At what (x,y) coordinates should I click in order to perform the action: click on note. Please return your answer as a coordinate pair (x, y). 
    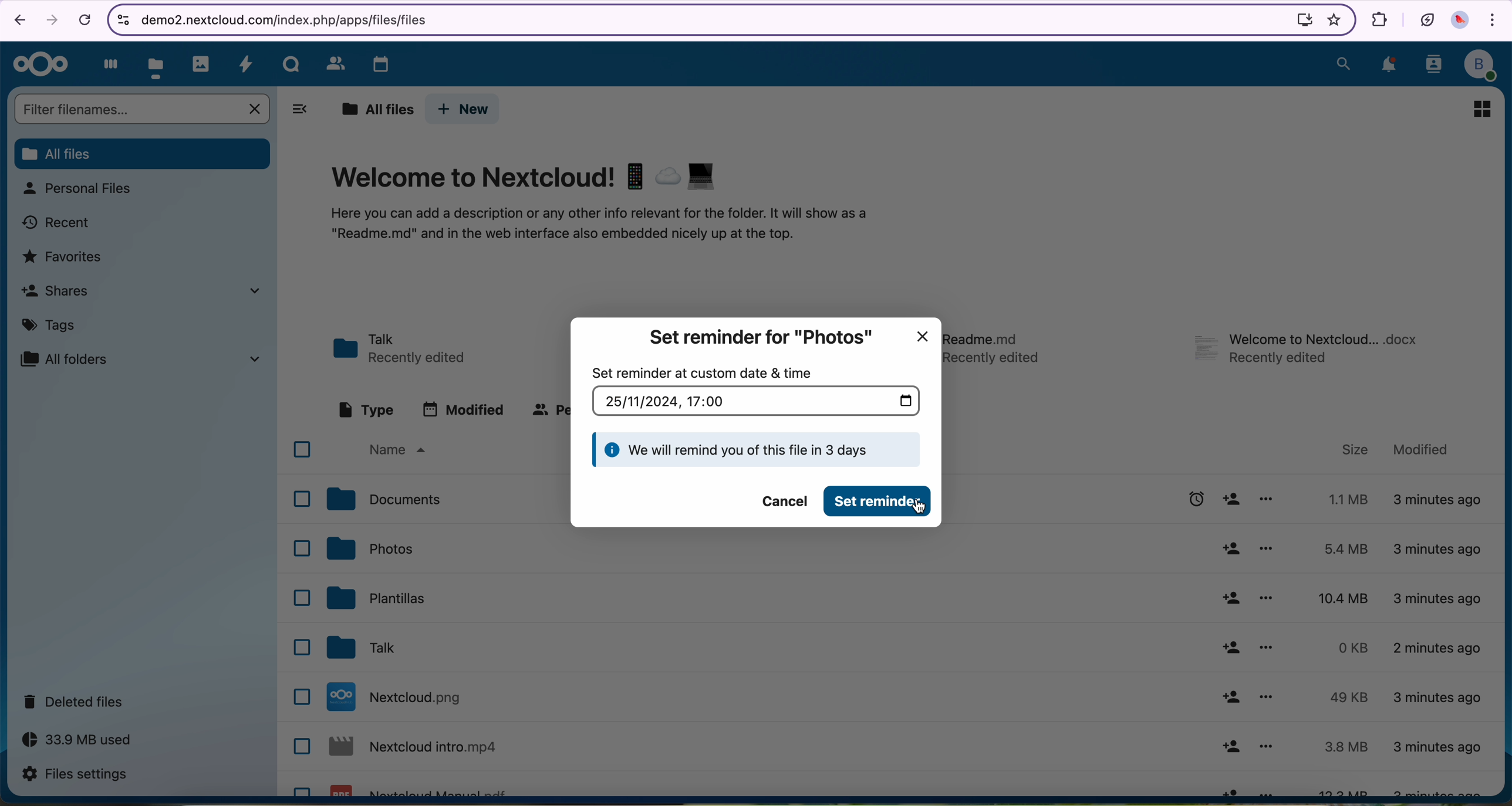
    Looking at the image, I should click on (757, 450).